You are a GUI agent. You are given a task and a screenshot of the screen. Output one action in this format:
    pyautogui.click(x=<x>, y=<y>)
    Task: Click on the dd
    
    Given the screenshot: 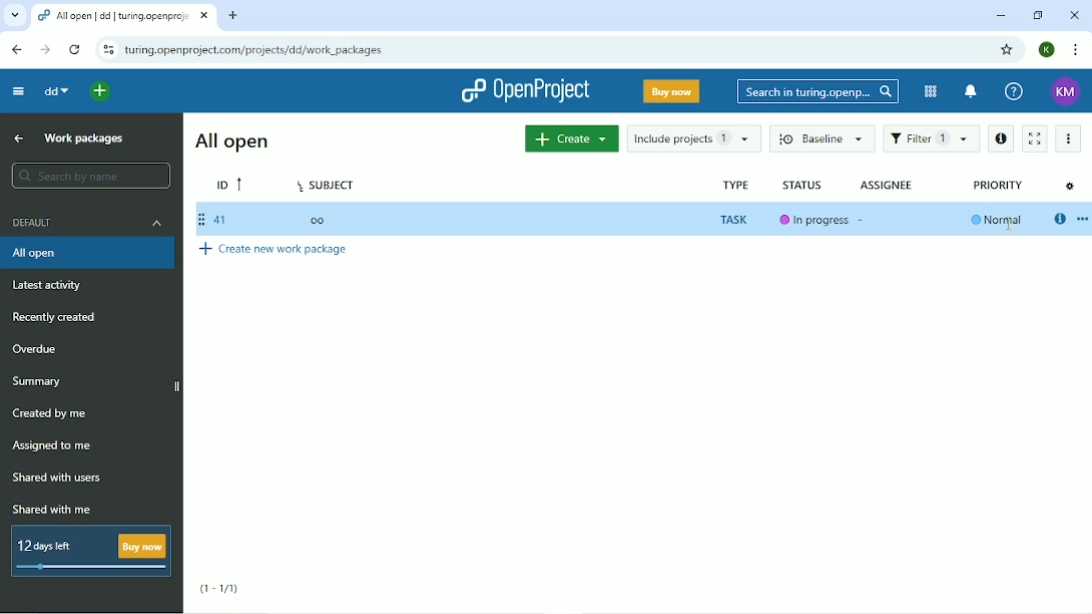 What is the action you would take?
    pyautogui.click(x=56, y=91)
    